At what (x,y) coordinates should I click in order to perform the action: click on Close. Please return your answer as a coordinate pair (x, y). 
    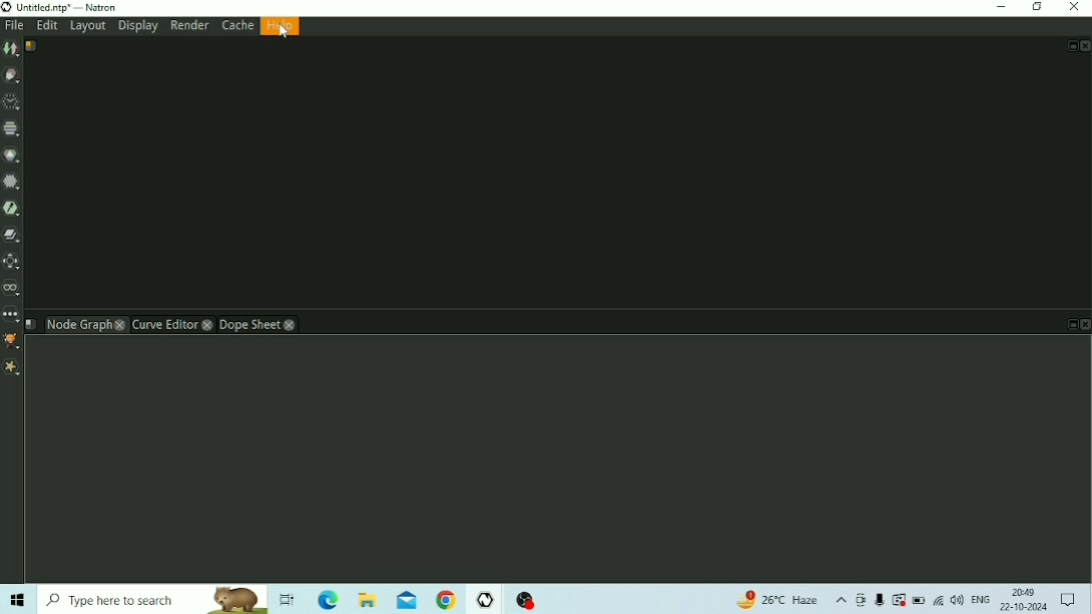
    Looking at the image, I should click on (1074, 7).